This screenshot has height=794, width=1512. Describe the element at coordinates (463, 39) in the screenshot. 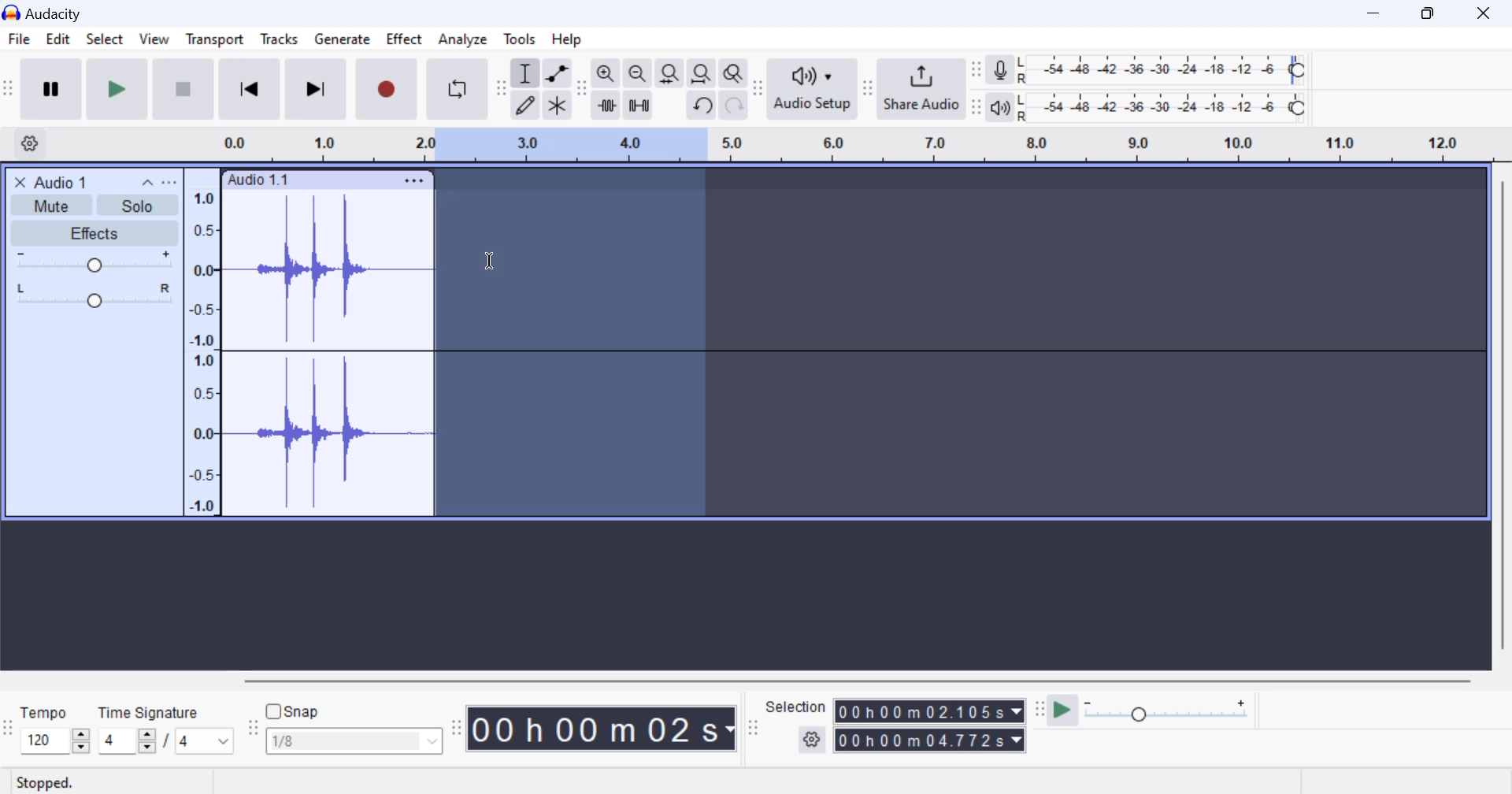

I see `Analyze` at that location.